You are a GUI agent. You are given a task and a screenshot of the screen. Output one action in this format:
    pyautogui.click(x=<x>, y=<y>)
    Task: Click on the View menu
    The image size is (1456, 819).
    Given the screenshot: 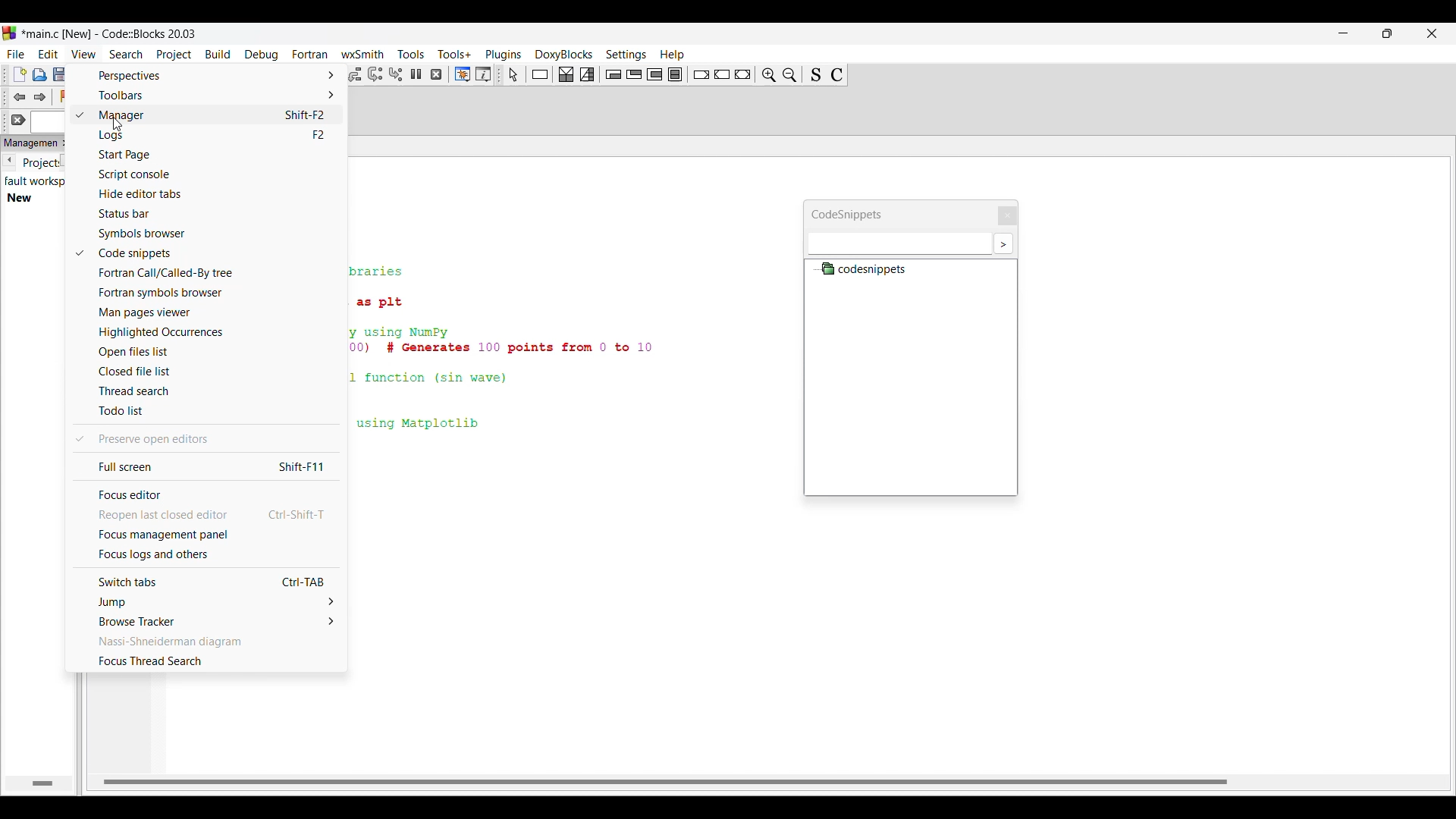 What is the action you would take?
    pyautogui.click(x=83, y=55)
    